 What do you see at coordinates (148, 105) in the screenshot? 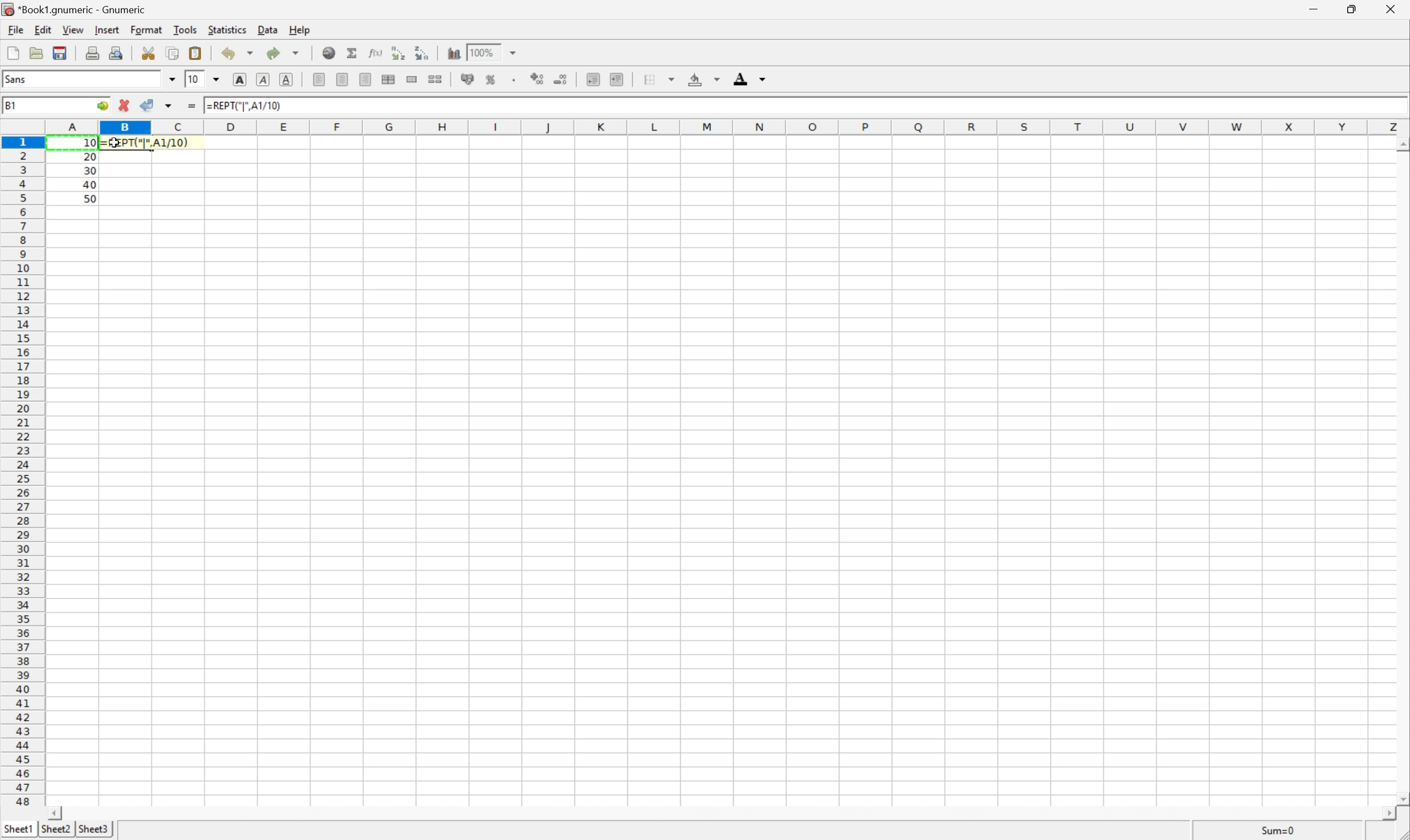
I see `Accept changes` at bounding box center [148, 105].